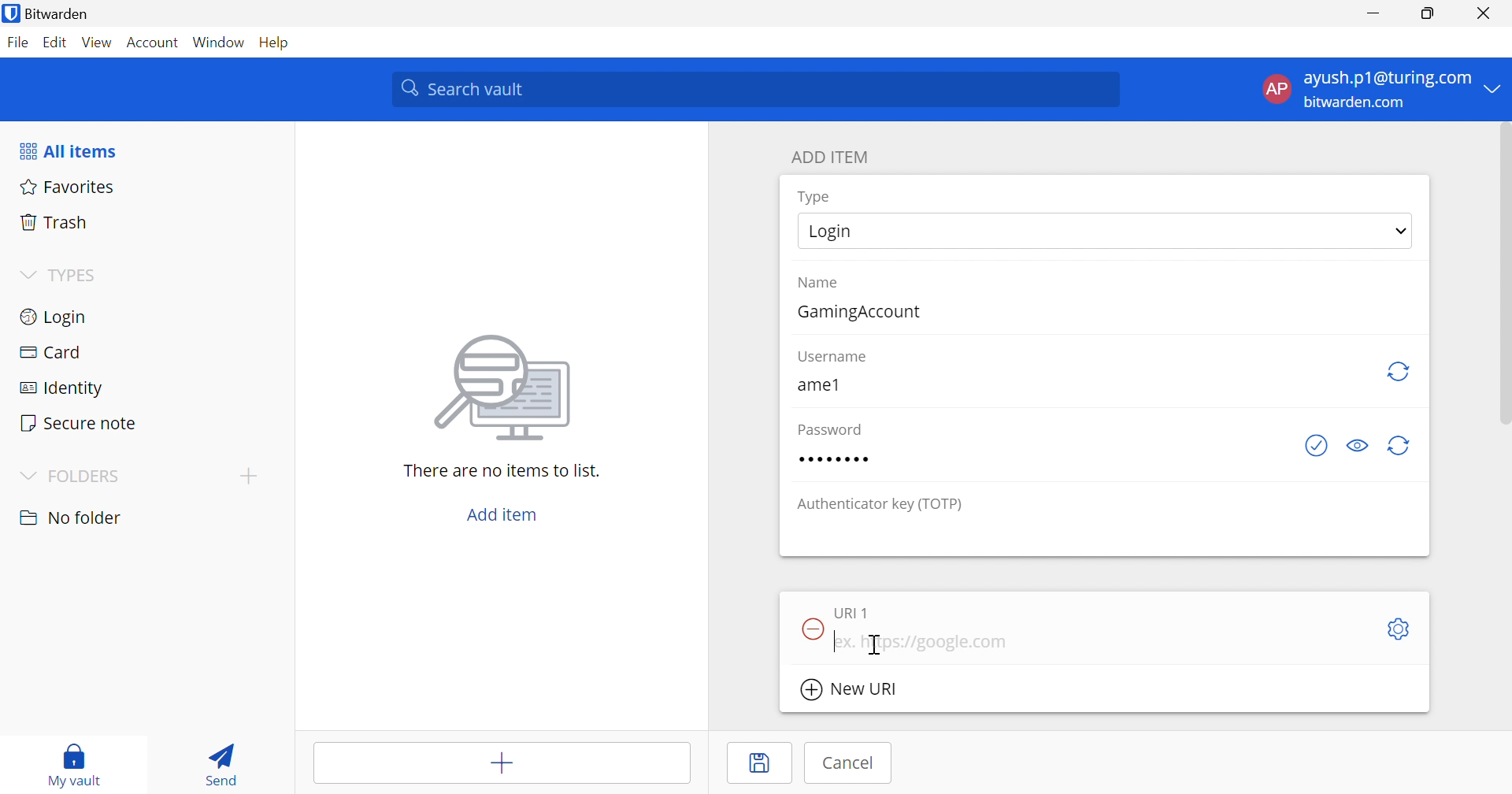 This screenshot has height=794, width=1512. What do you see at coordinates (863, 313) in the screenshot?
I see `GamingAccount` at bounding box center [863, 313].